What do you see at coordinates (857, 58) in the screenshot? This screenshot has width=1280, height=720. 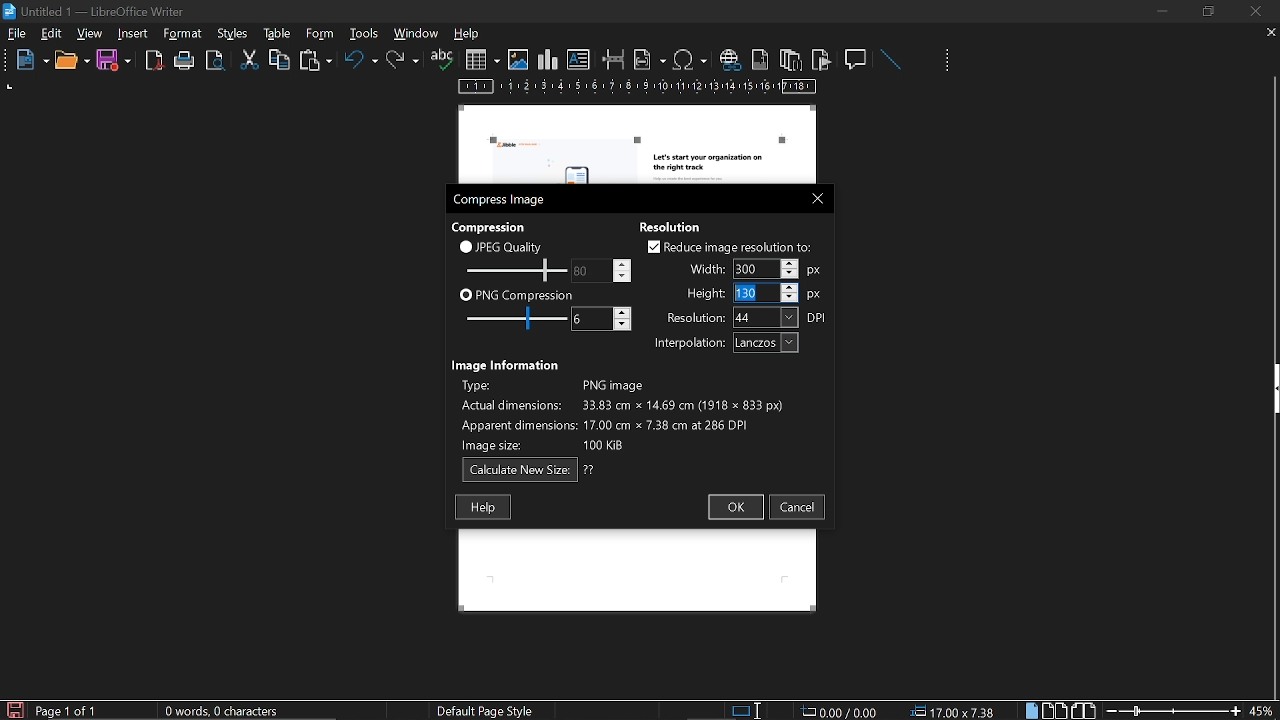 I see `insert comment` at bounding box center [857, 58].